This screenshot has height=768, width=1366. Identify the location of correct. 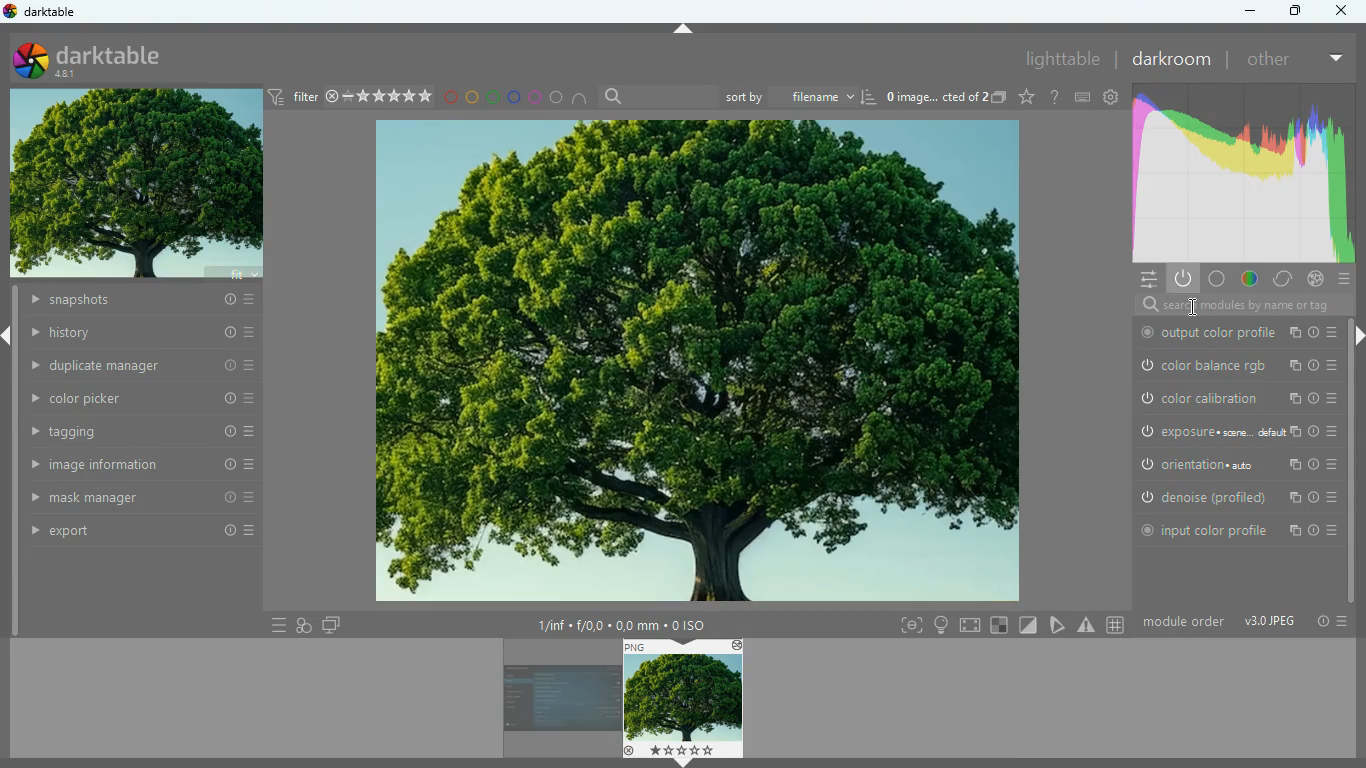
(1280, 279).